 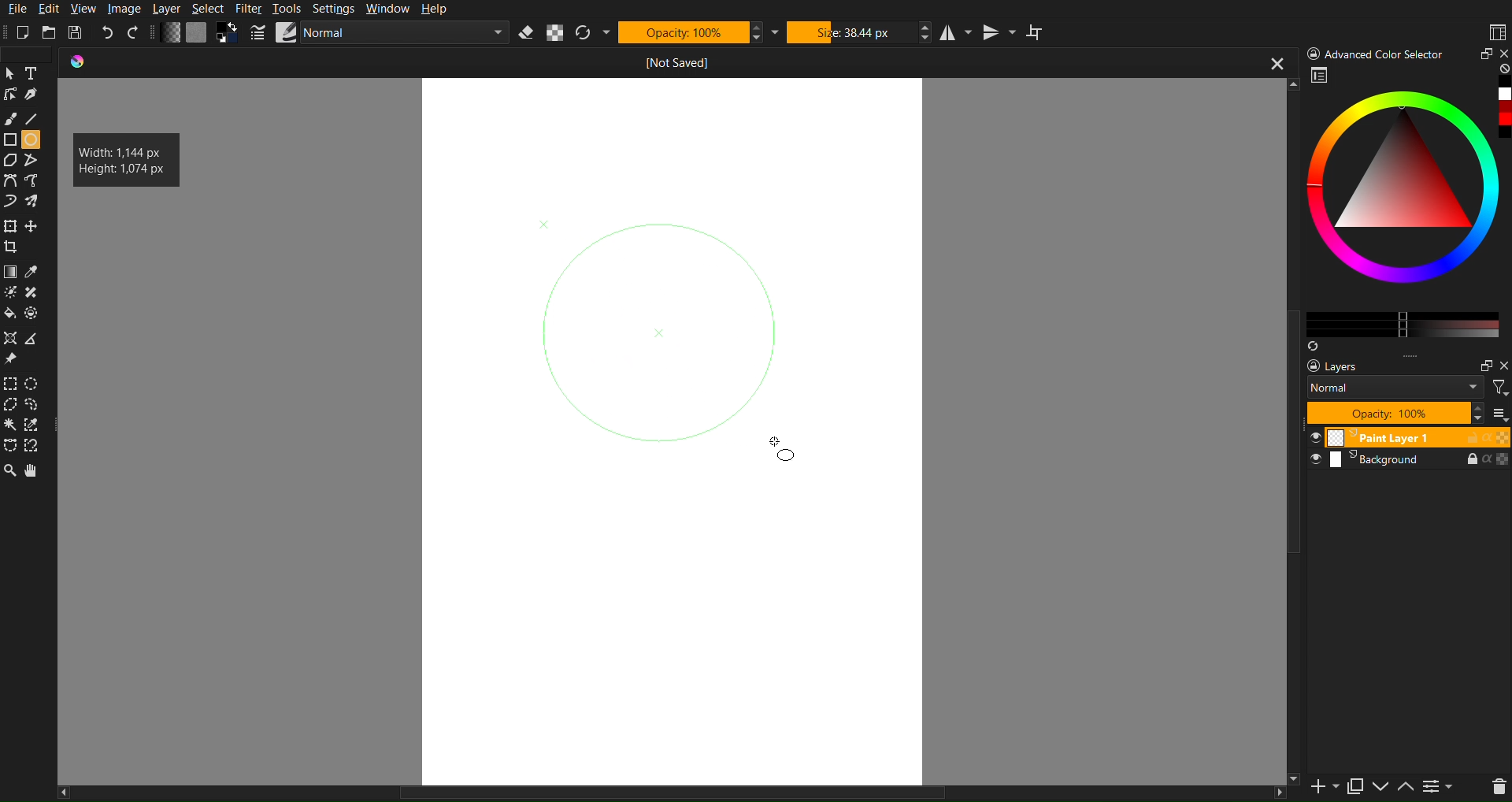 What do you see at coordinates (10, 382) in the screenshot?
I see `Selection Tools` at bounding box center [10, 382].